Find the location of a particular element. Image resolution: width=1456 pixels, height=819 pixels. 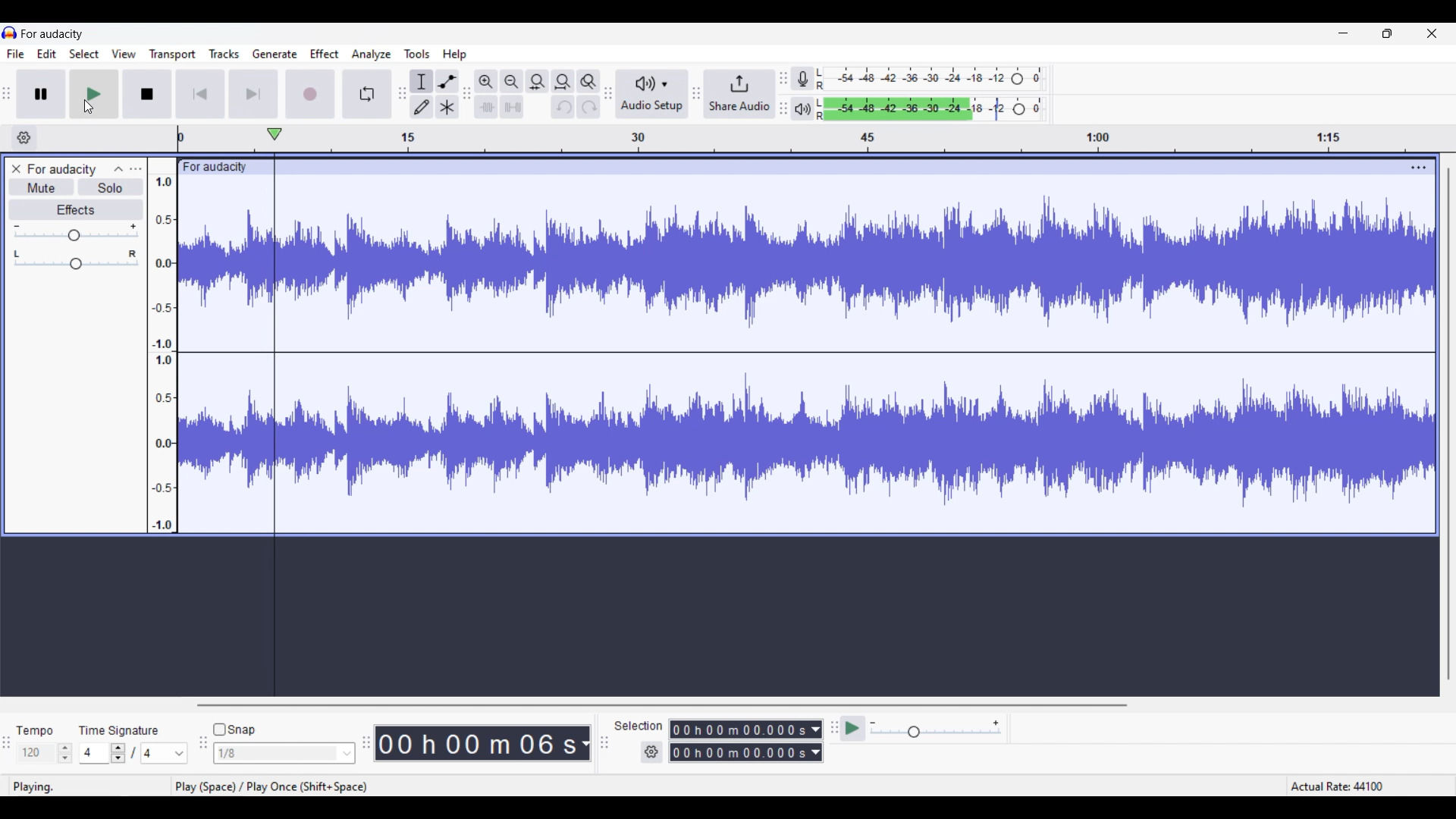

Generate menu is located at coordinates (275, 54).